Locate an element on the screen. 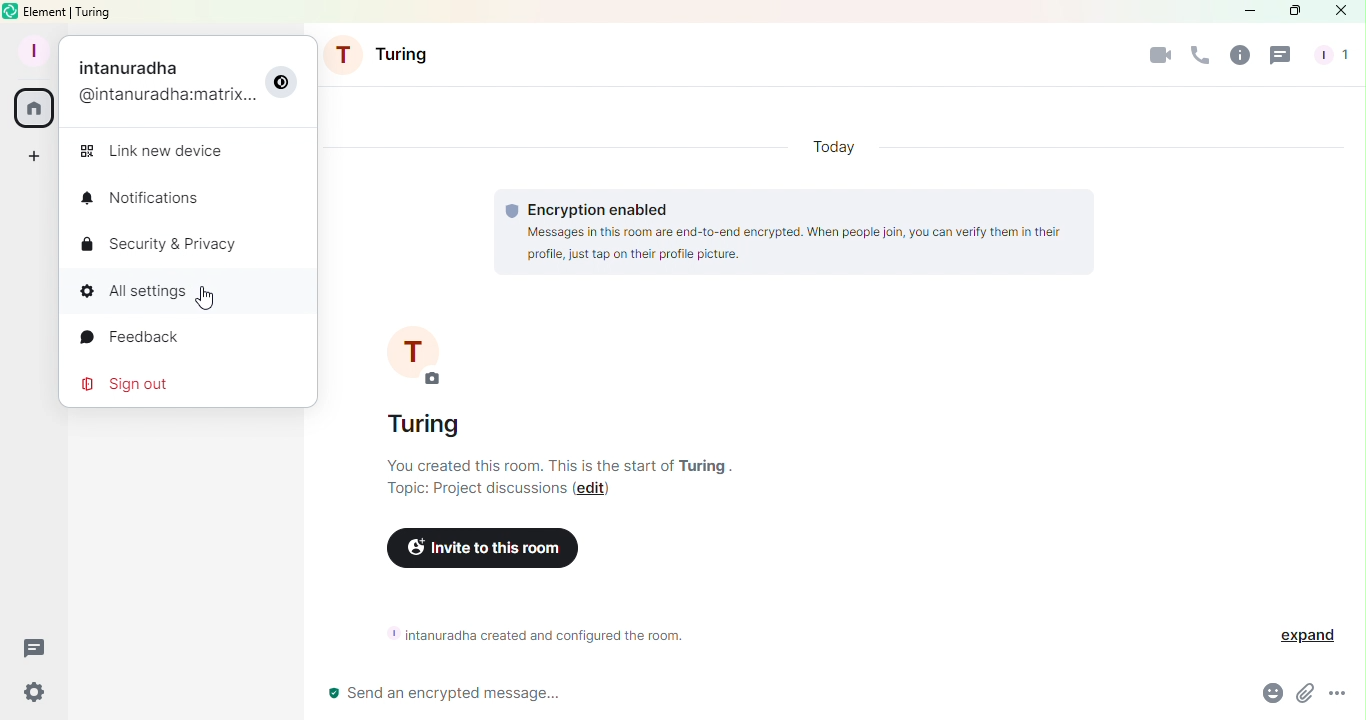  Encryption information is located at coordinates (793, 233).